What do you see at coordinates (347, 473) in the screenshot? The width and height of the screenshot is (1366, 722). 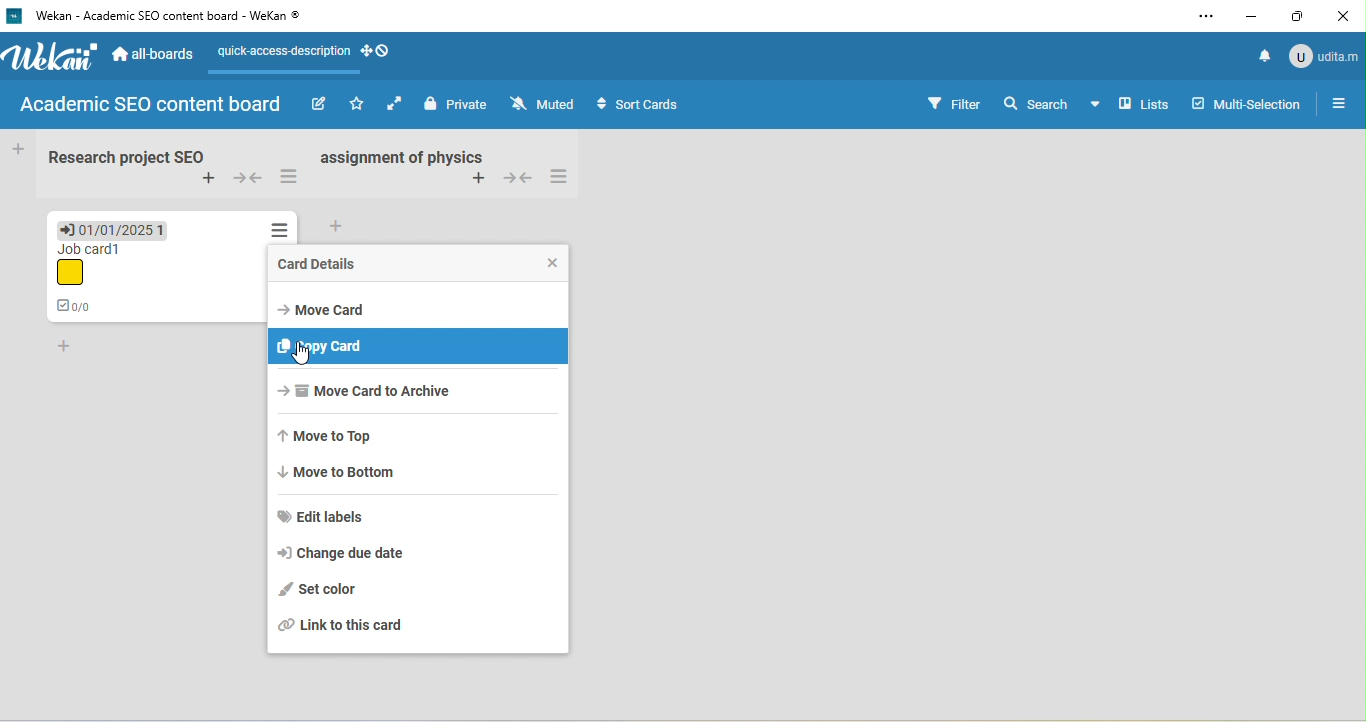 I see `move to bottom` at bounding box center [347, 473].